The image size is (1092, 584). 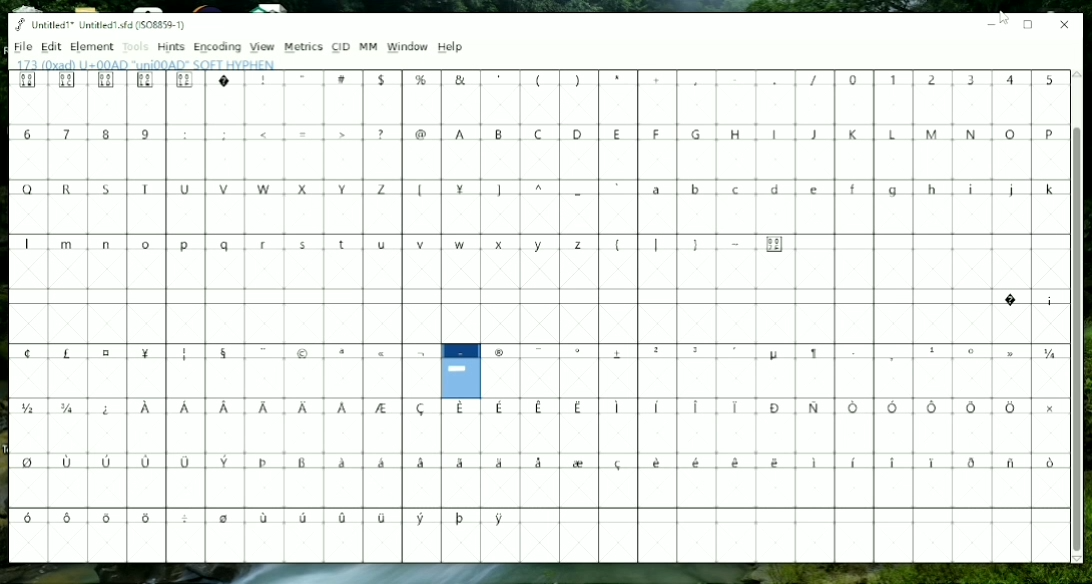 I want to click on Glyph created, so click(x=459, y=371).